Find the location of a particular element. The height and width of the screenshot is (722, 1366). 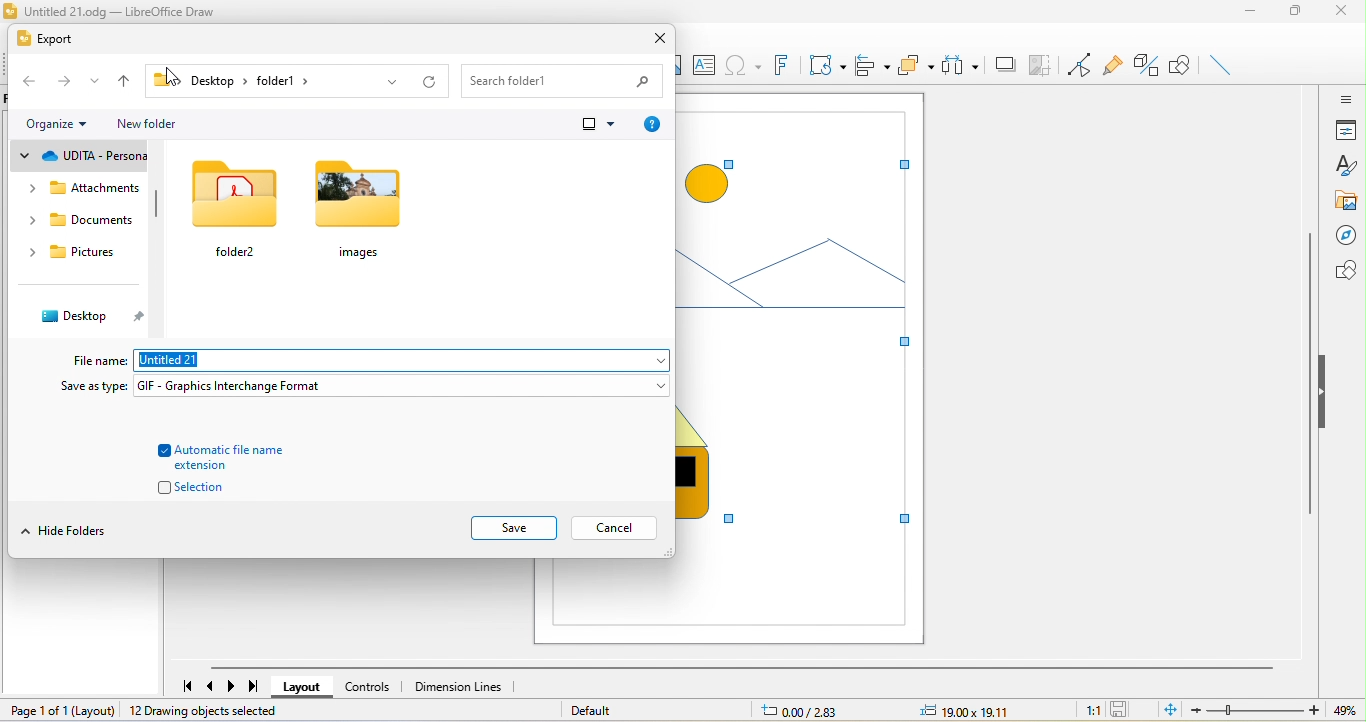

organize is located at coordinates (59, 124).